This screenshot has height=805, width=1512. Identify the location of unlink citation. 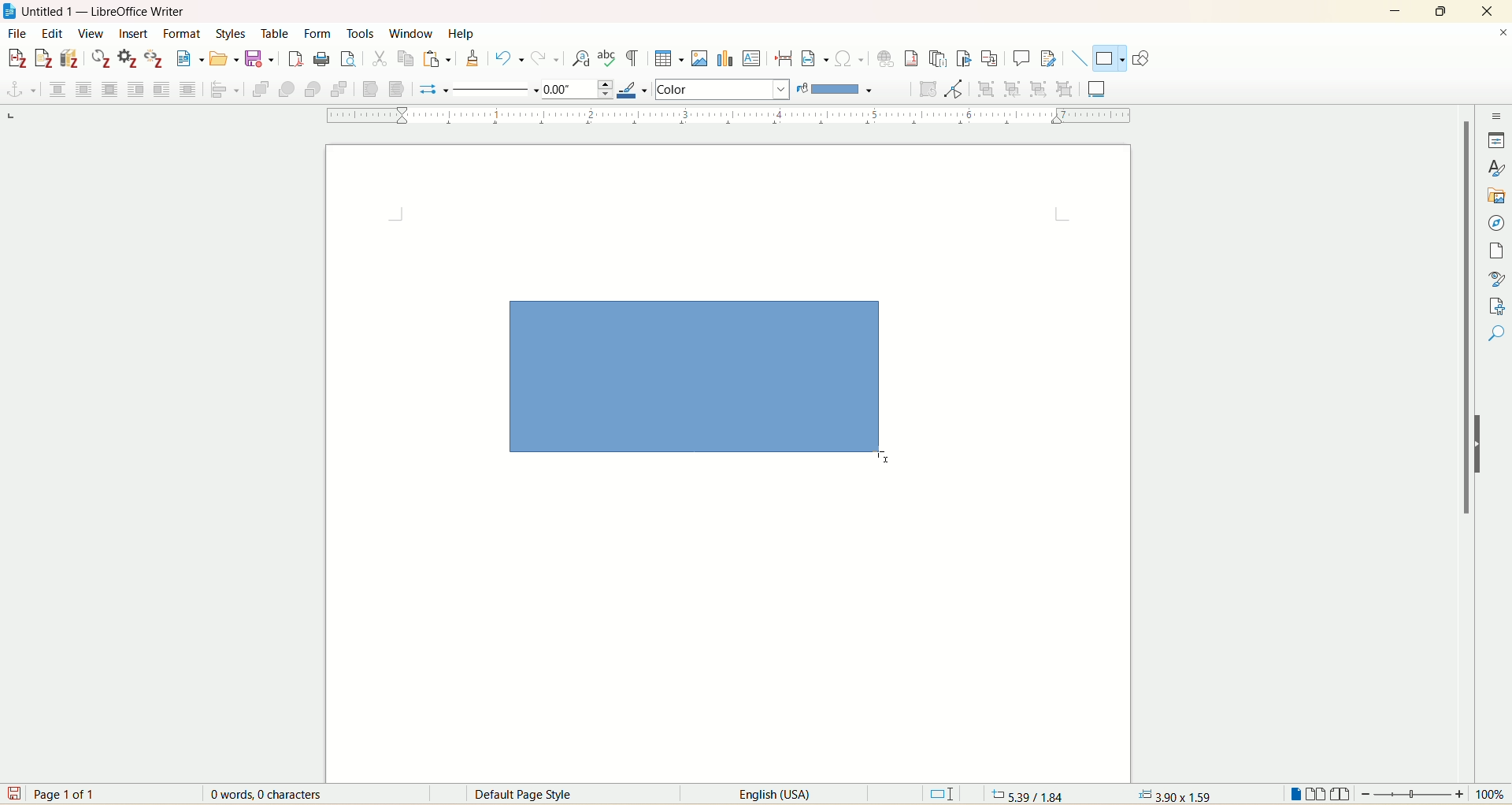
(155, 58).